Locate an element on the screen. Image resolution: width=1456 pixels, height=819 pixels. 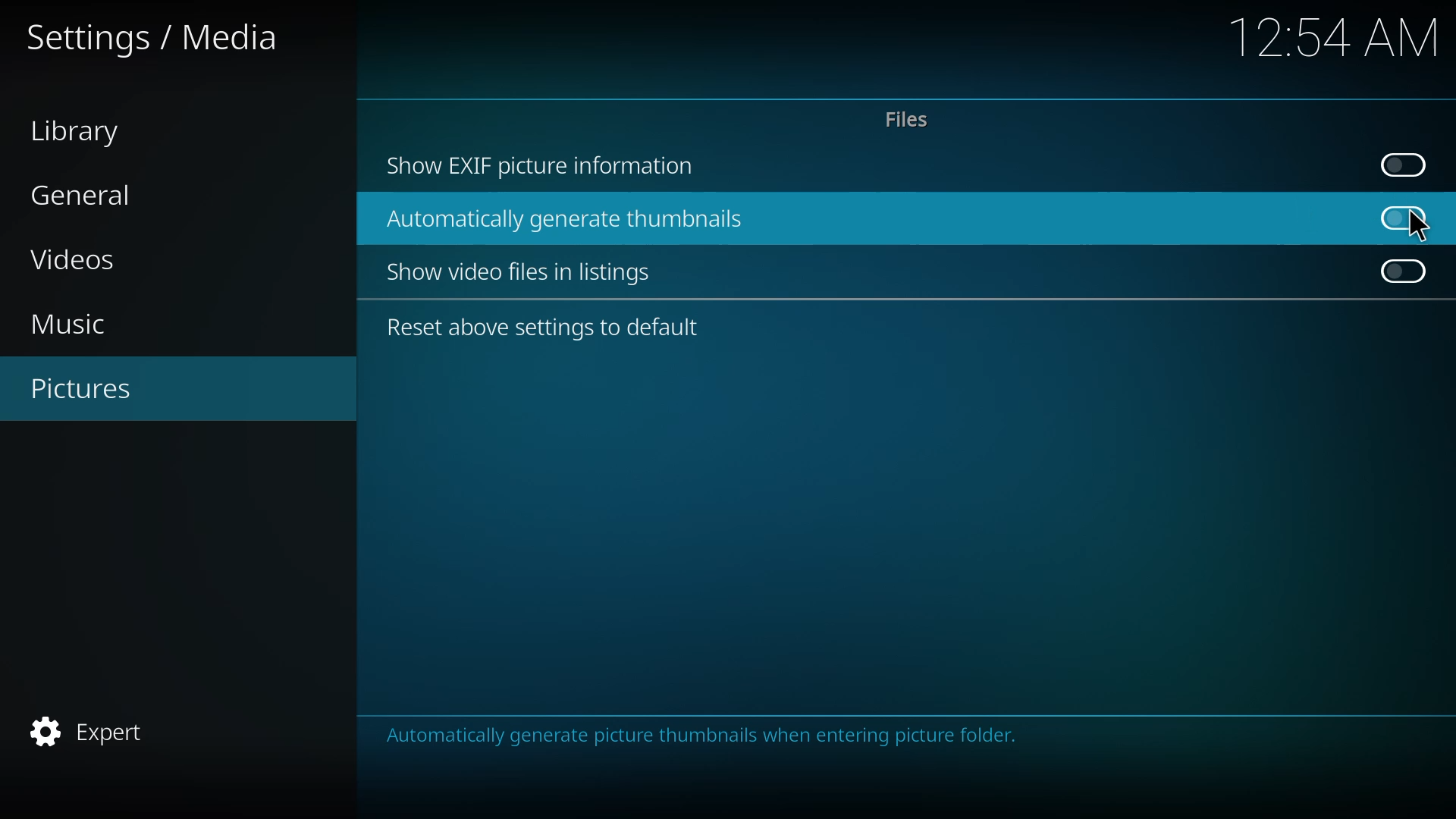
pictures is located at coordinates (96, 388).